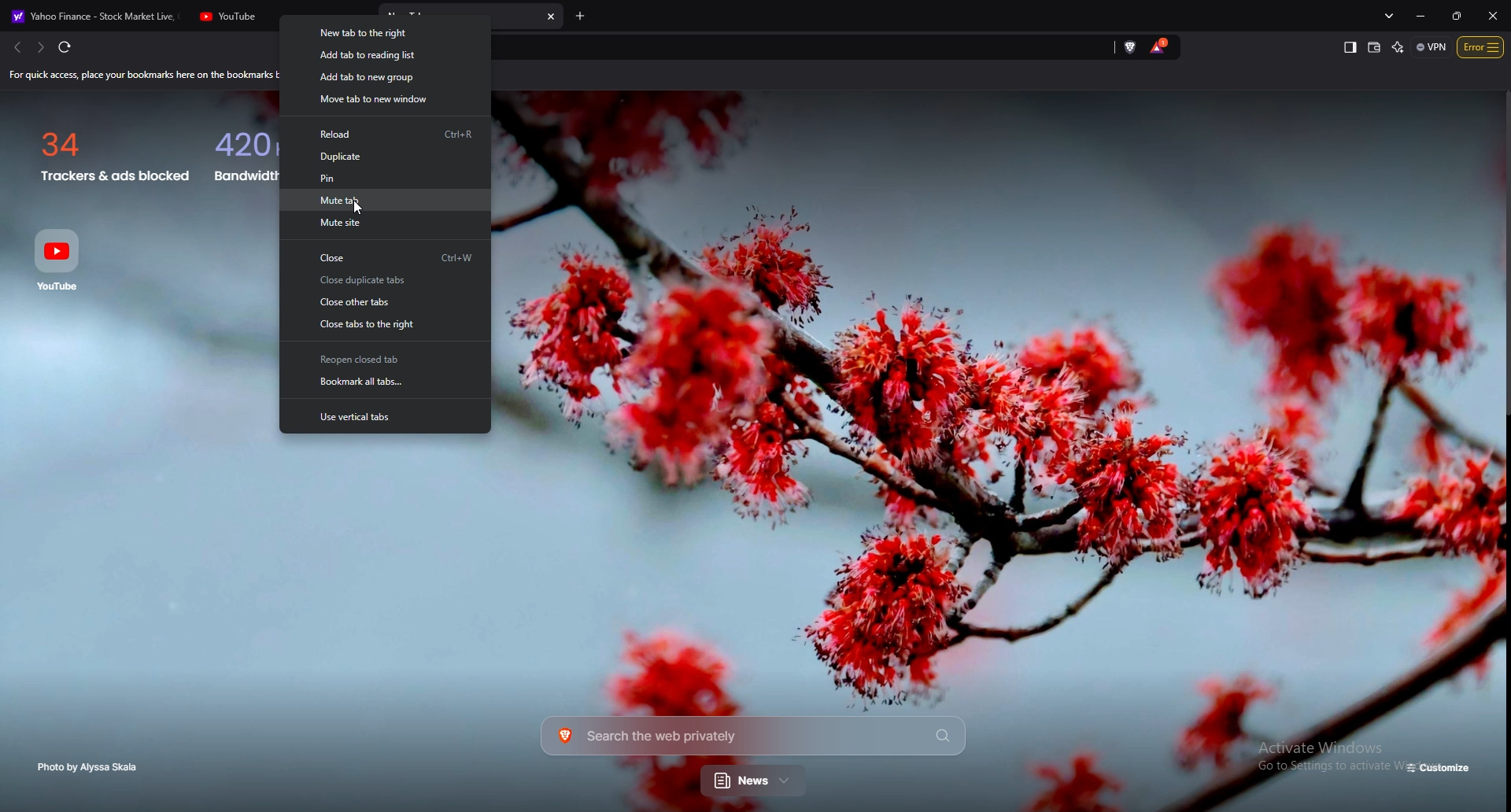  I want to click on news, so click(755, 782).